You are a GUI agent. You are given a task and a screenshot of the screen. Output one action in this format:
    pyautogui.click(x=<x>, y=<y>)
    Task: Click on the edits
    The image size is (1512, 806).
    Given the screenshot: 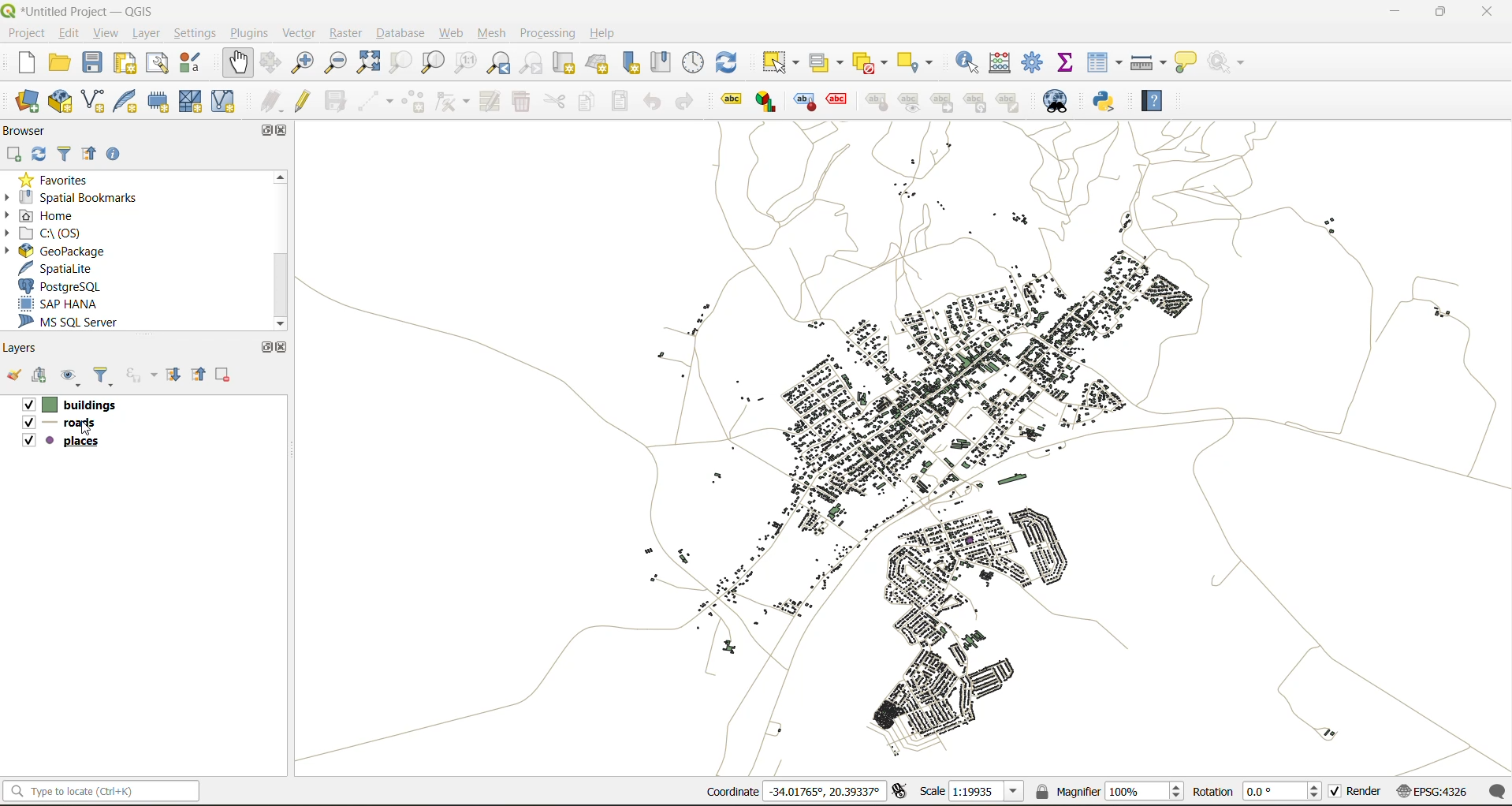 What is the action you would take?
    pyautogui.click(x=269, y=103)
    